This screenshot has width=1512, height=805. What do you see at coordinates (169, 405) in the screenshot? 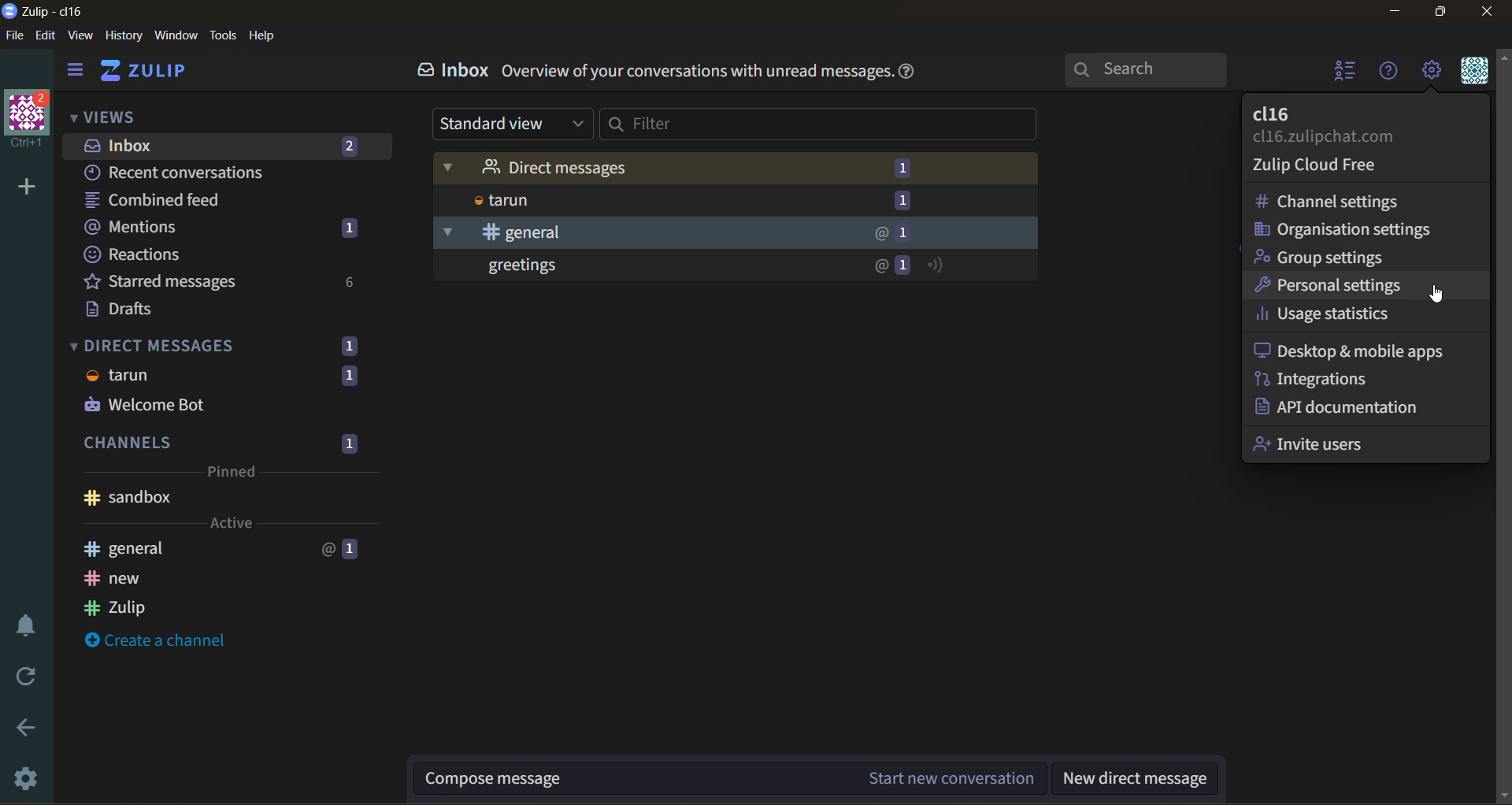
I see `welcome bot` at bounding box center [169, 405].